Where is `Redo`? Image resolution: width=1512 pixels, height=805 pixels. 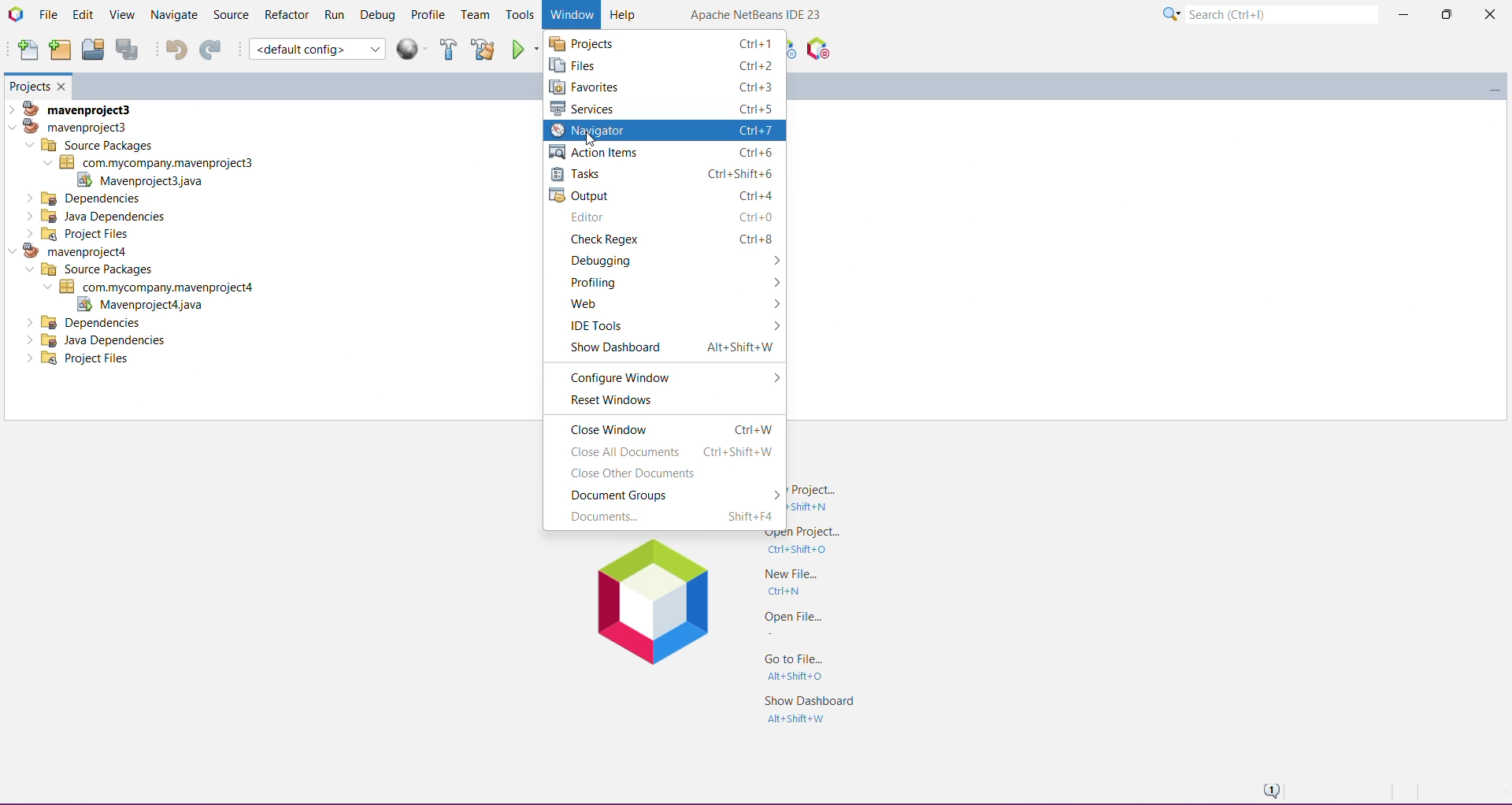 Redo is located at coordinates (210, 49).